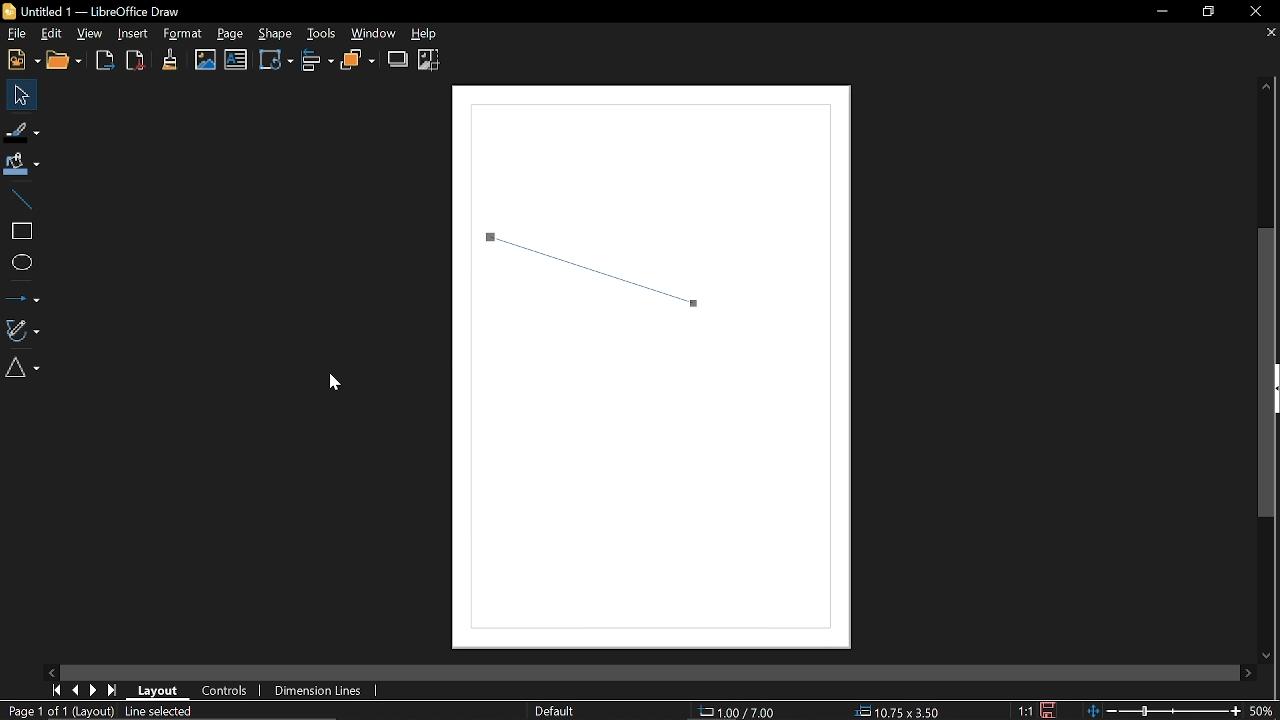 This screenshot has width=1280, height=720. I want to click on Move up, so click(1272, 88).